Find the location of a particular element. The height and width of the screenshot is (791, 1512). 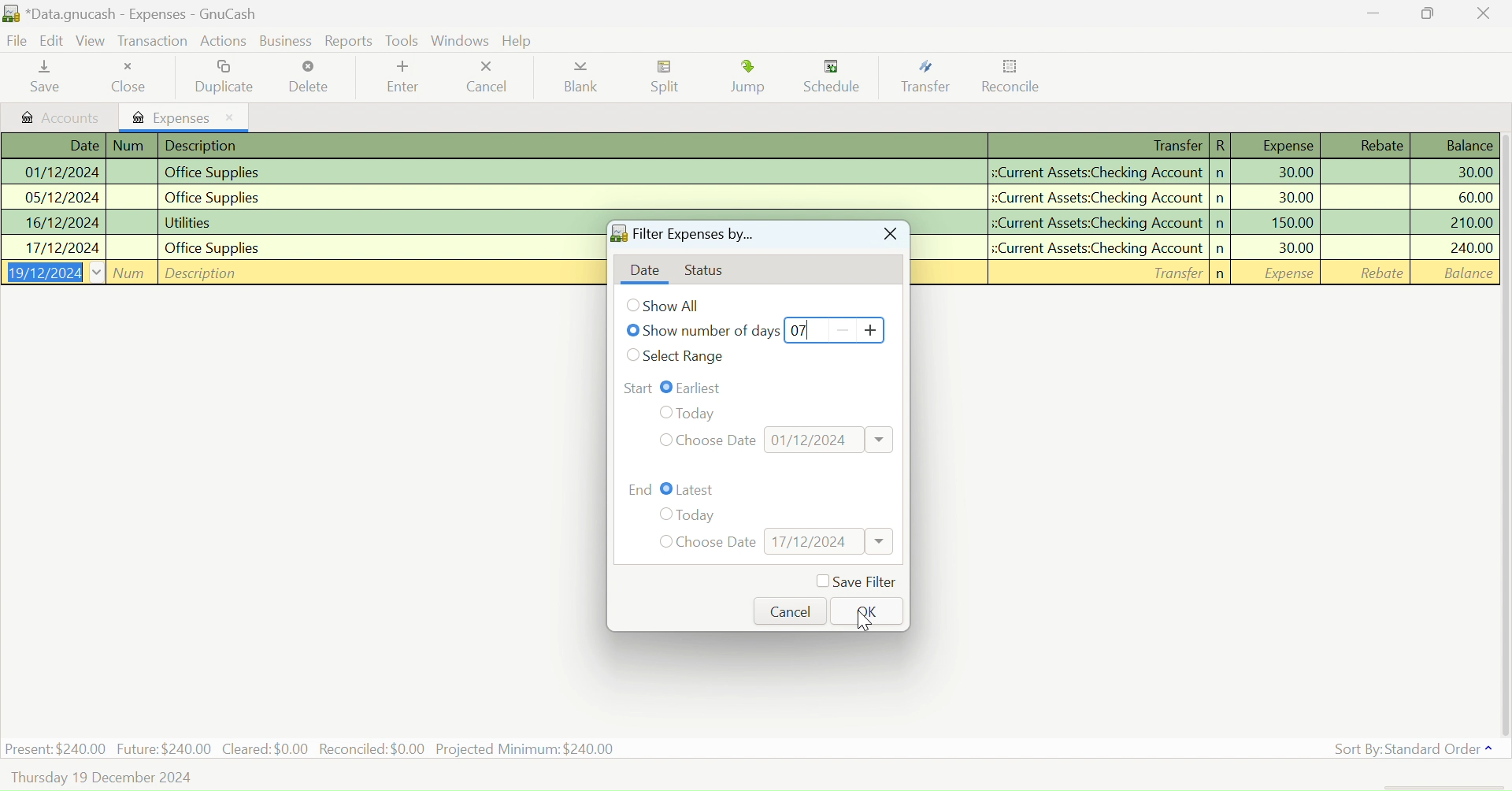

Utilities Transaction is located at coordinates (1211, 221).